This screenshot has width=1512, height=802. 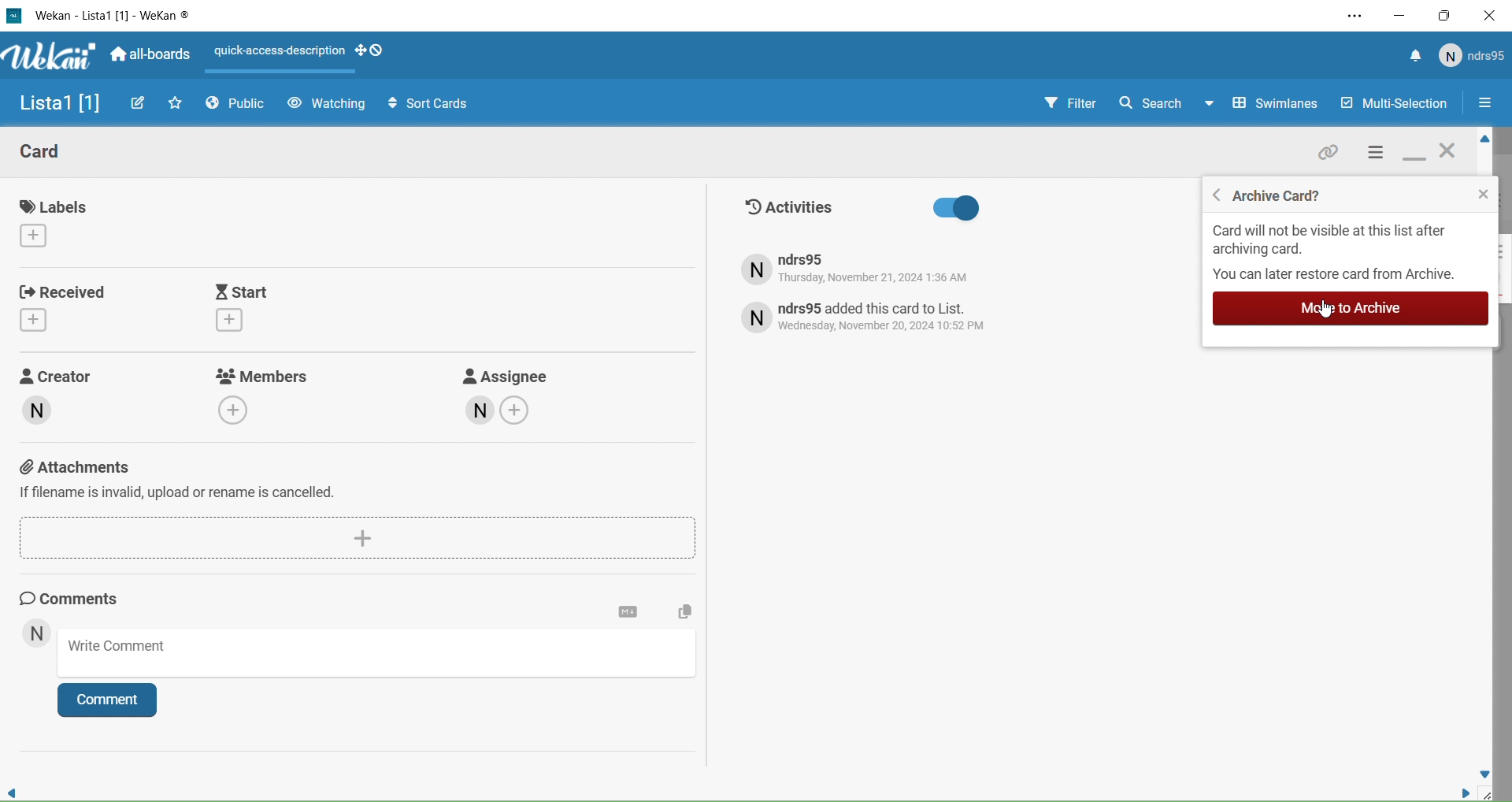 I want to click on Sort Cards, so click(x=435, y=102).